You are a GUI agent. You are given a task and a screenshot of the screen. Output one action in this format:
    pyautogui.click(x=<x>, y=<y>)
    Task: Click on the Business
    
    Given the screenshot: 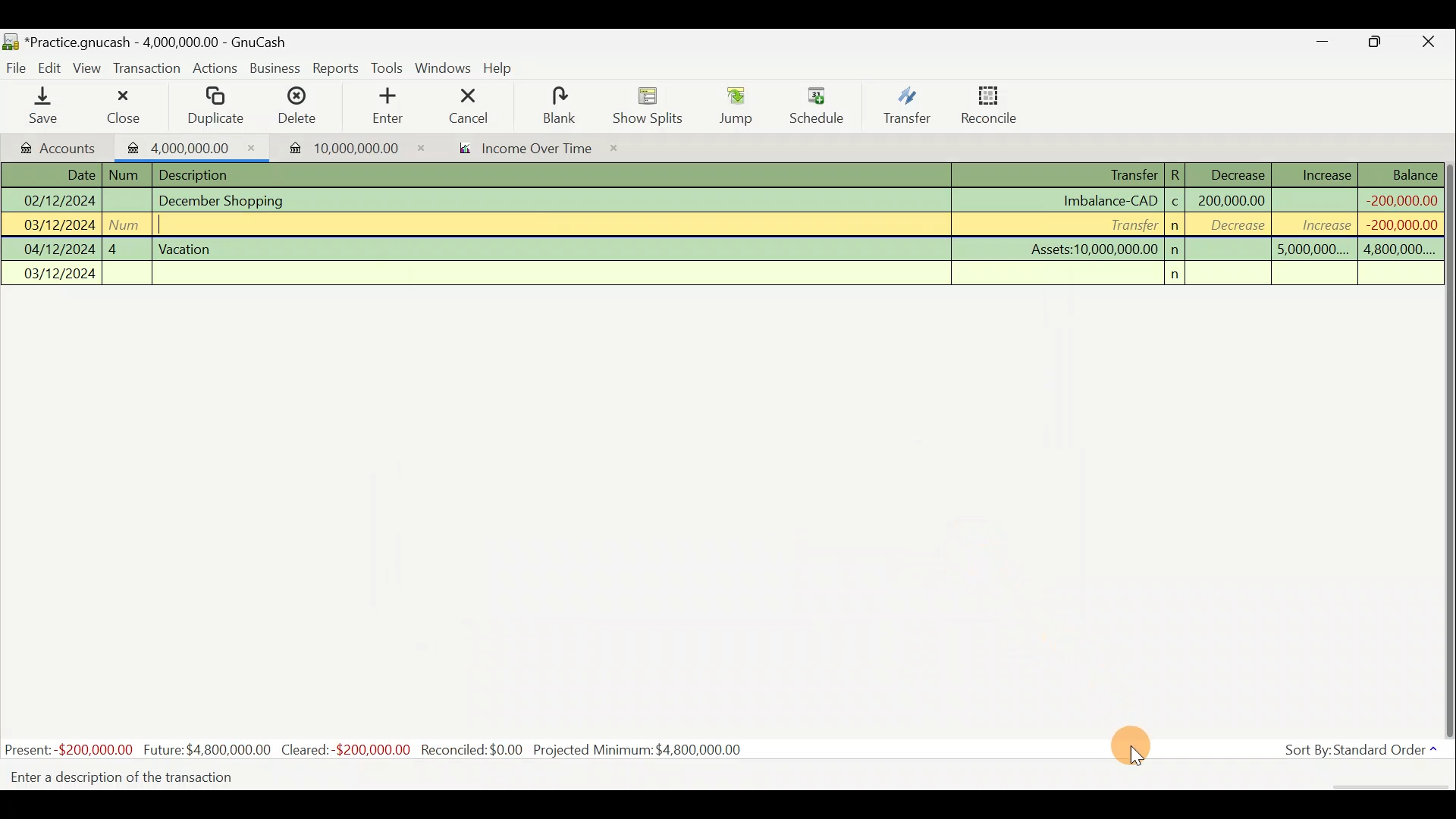 What is the action you would take?
    pyautogui.click(x=276, y=68)
    